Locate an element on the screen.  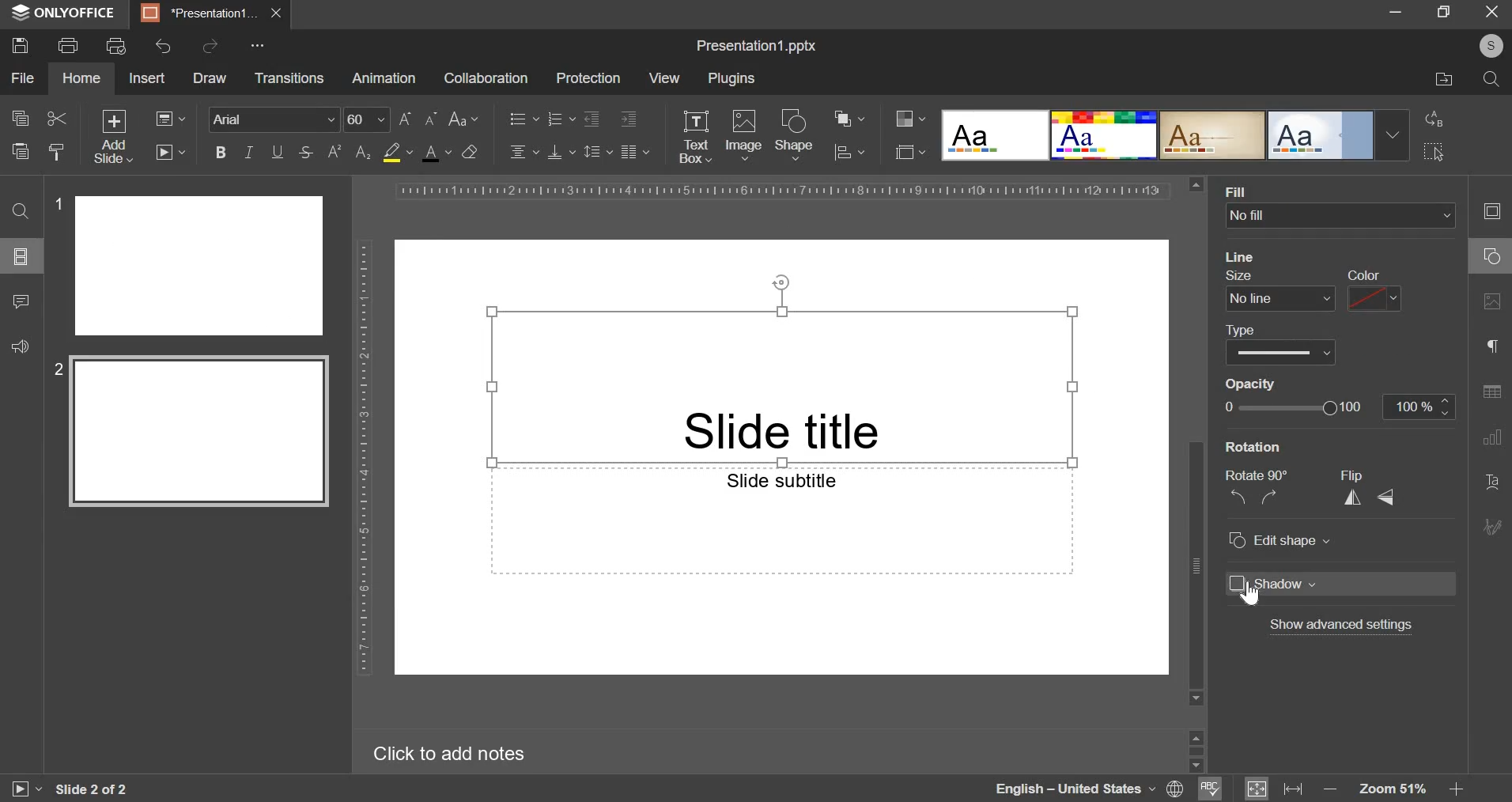
line is located at coordinates (1242, 256).